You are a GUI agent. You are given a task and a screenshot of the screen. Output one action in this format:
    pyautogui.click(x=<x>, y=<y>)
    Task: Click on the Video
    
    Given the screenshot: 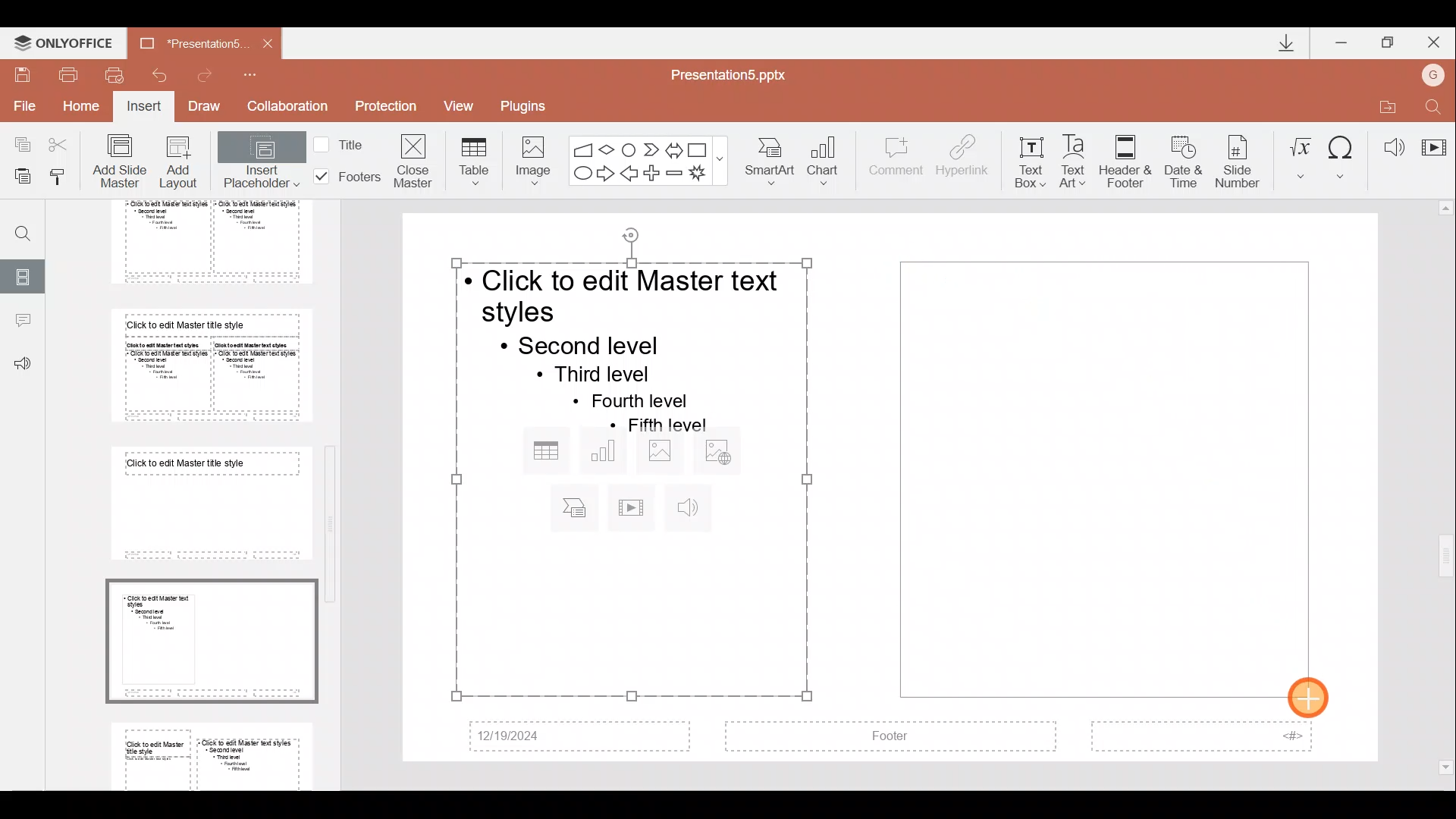 What is the action you would take?
    pyautogui.click(x=1433, y=140)
    